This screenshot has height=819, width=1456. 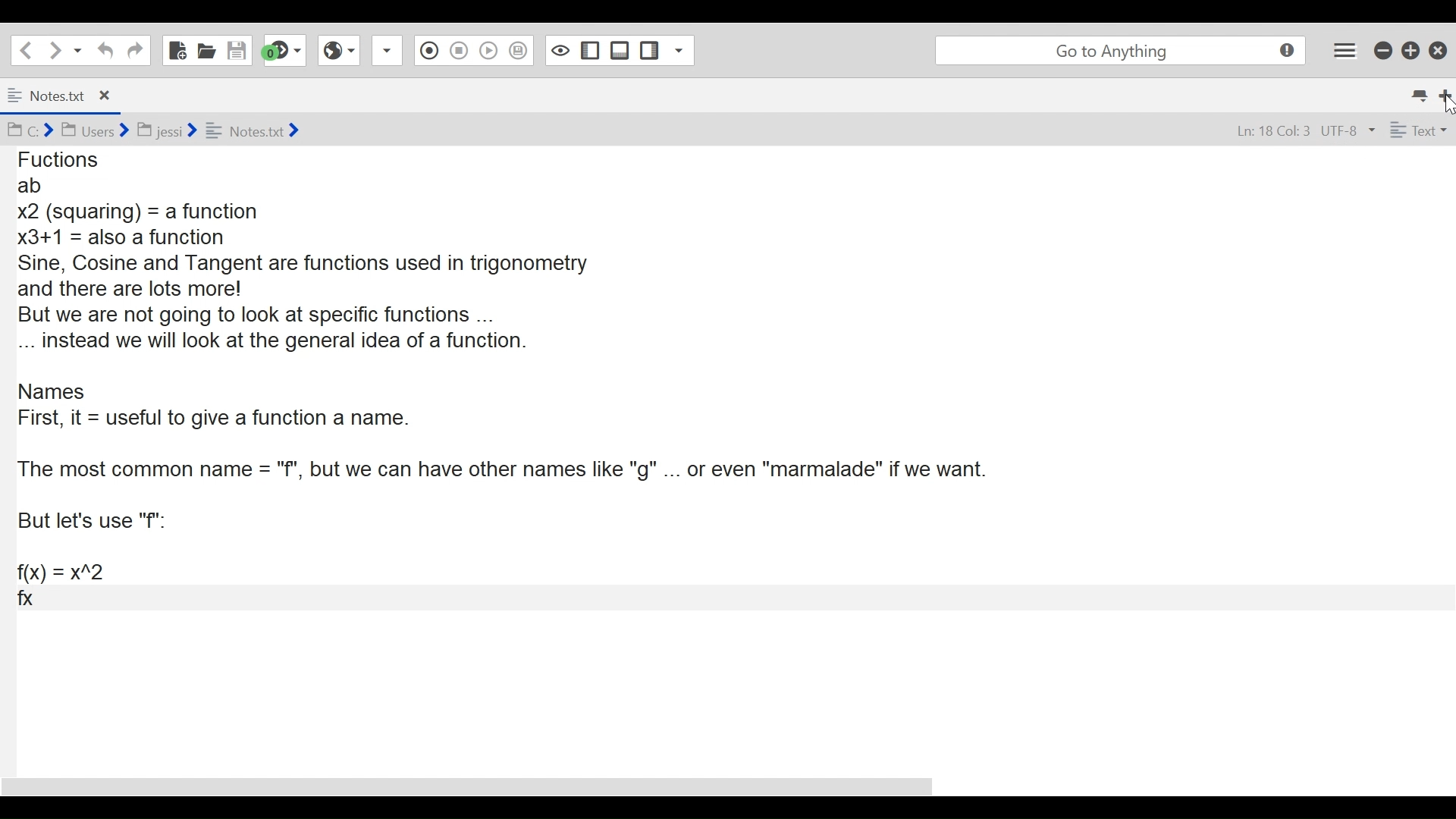 What do you see at coordinates (1348, 131) in the screenshot?
I see `utf-8` at bounding box center [1348, 131].